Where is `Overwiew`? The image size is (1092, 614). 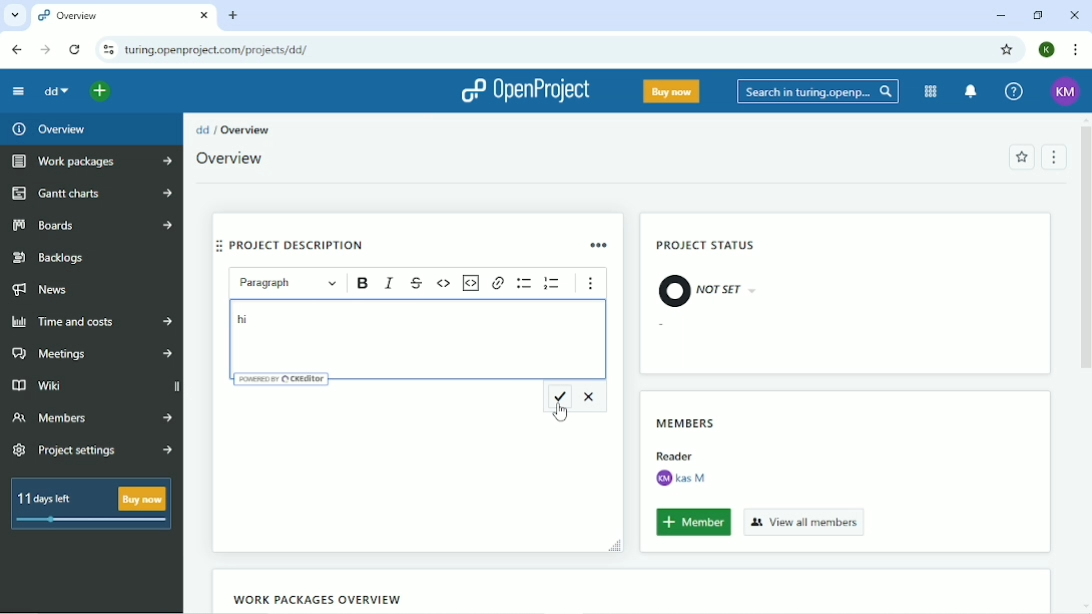
Overwiew is located at coordinates (236, 159).